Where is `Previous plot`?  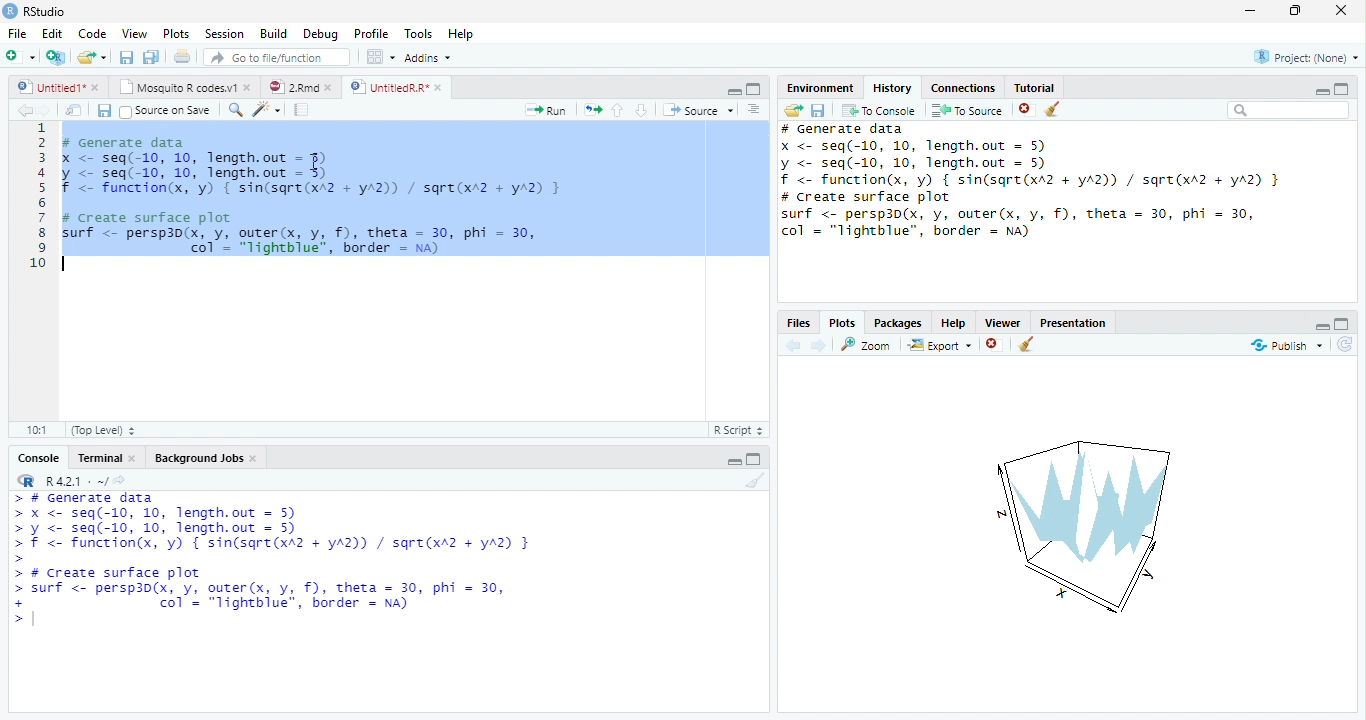
Previous plot is located at coordinates (793, 345).